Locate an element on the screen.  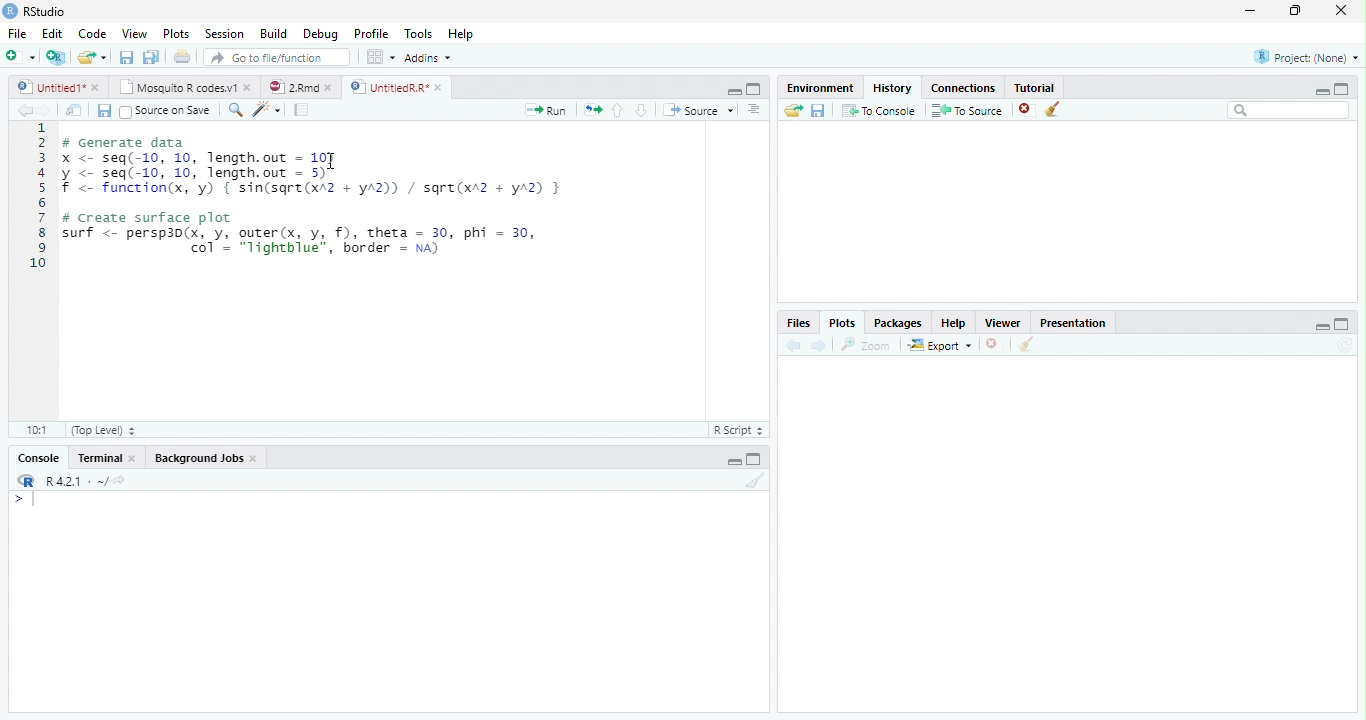
Mosquito R codes.v1 is located at coordinates (175, 87).